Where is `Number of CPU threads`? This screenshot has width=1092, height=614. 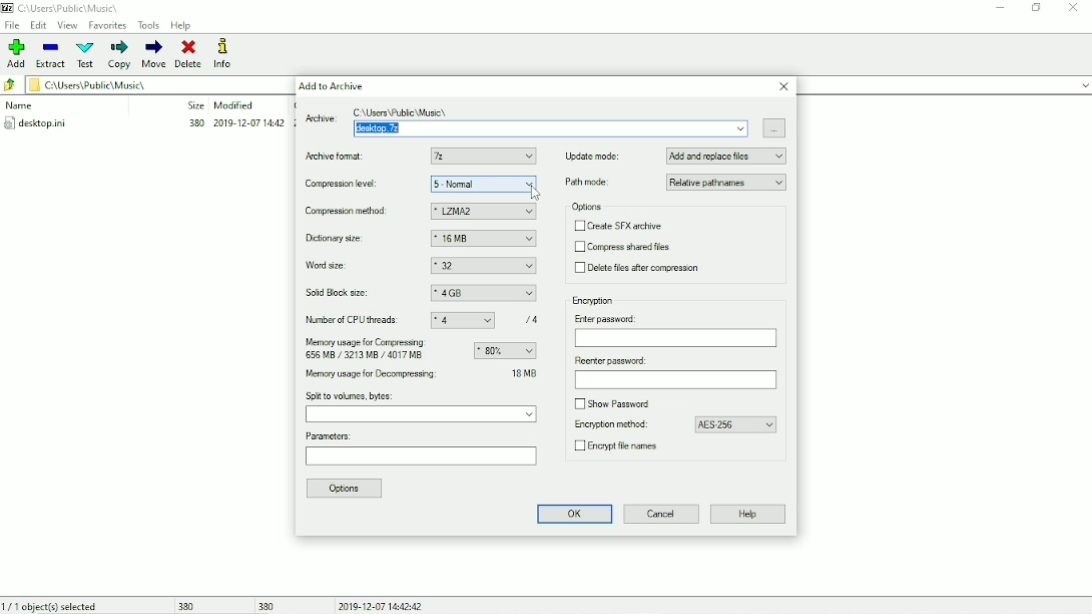
Number of CPU threads is located at coordinates (354, 320).